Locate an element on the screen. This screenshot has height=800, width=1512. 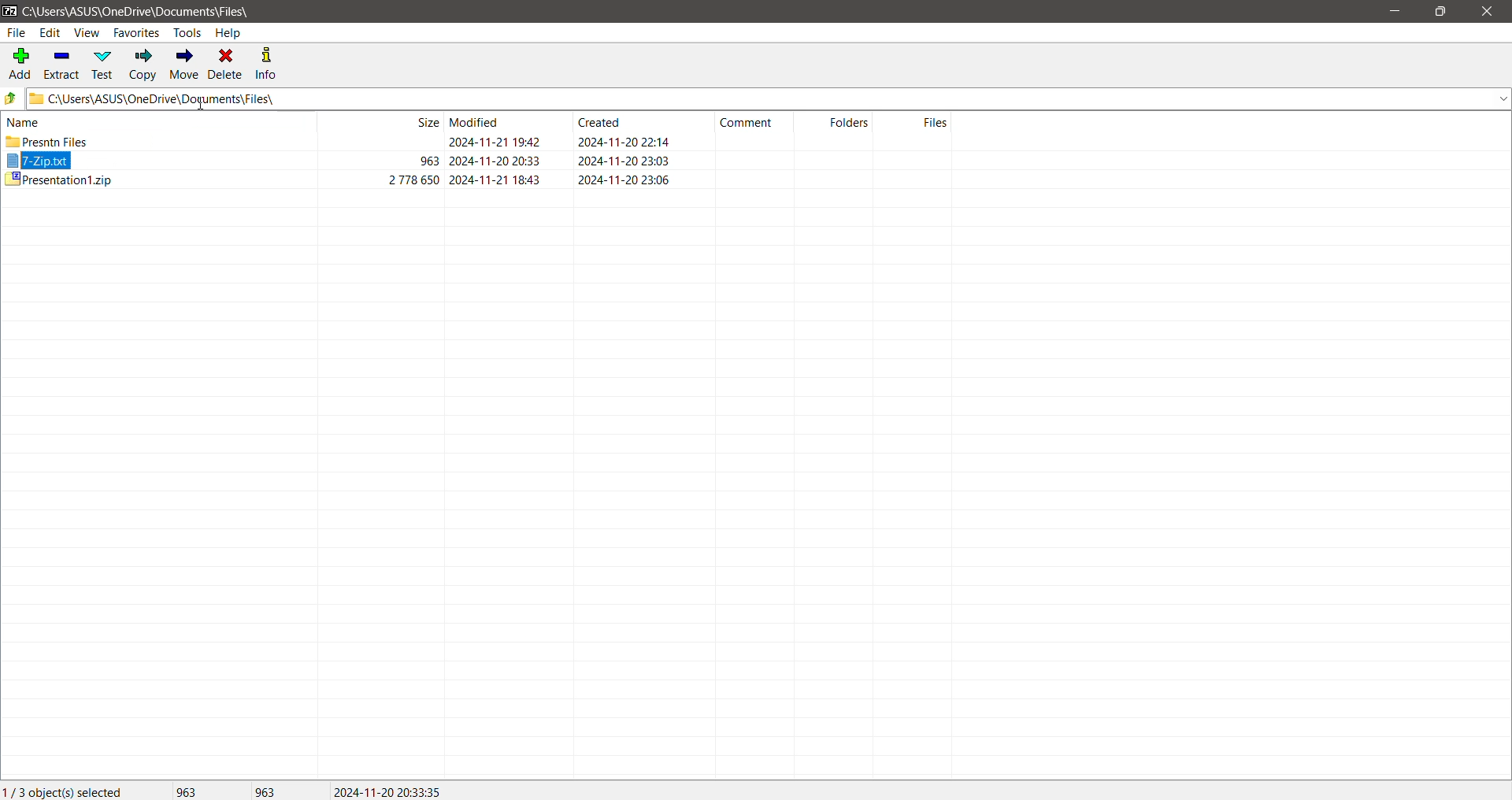
Minimize is located at coordinates (1396, 12).